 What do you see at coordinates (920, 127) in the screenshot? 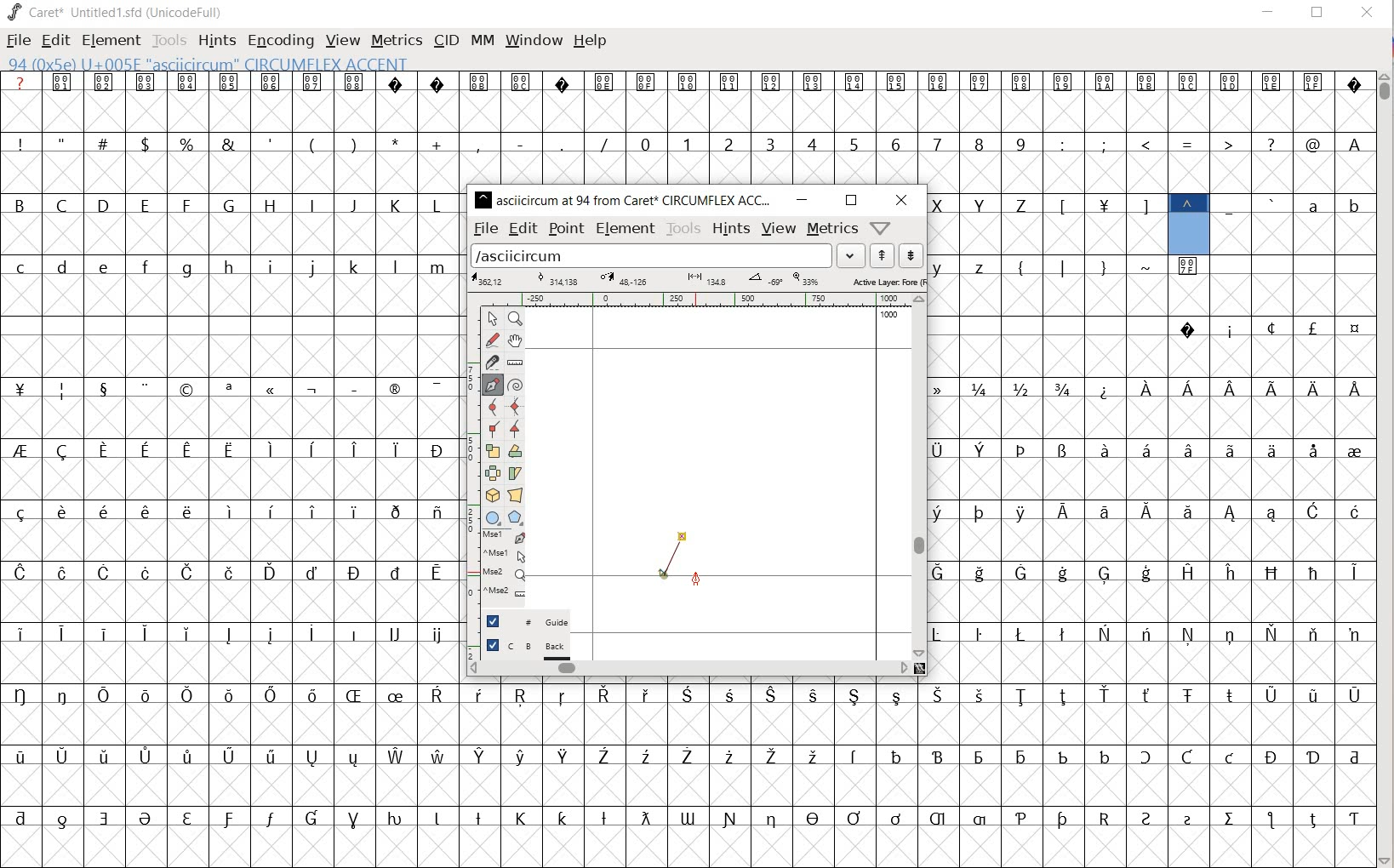
I see `glyph characters` at bounding box center [920, 127].